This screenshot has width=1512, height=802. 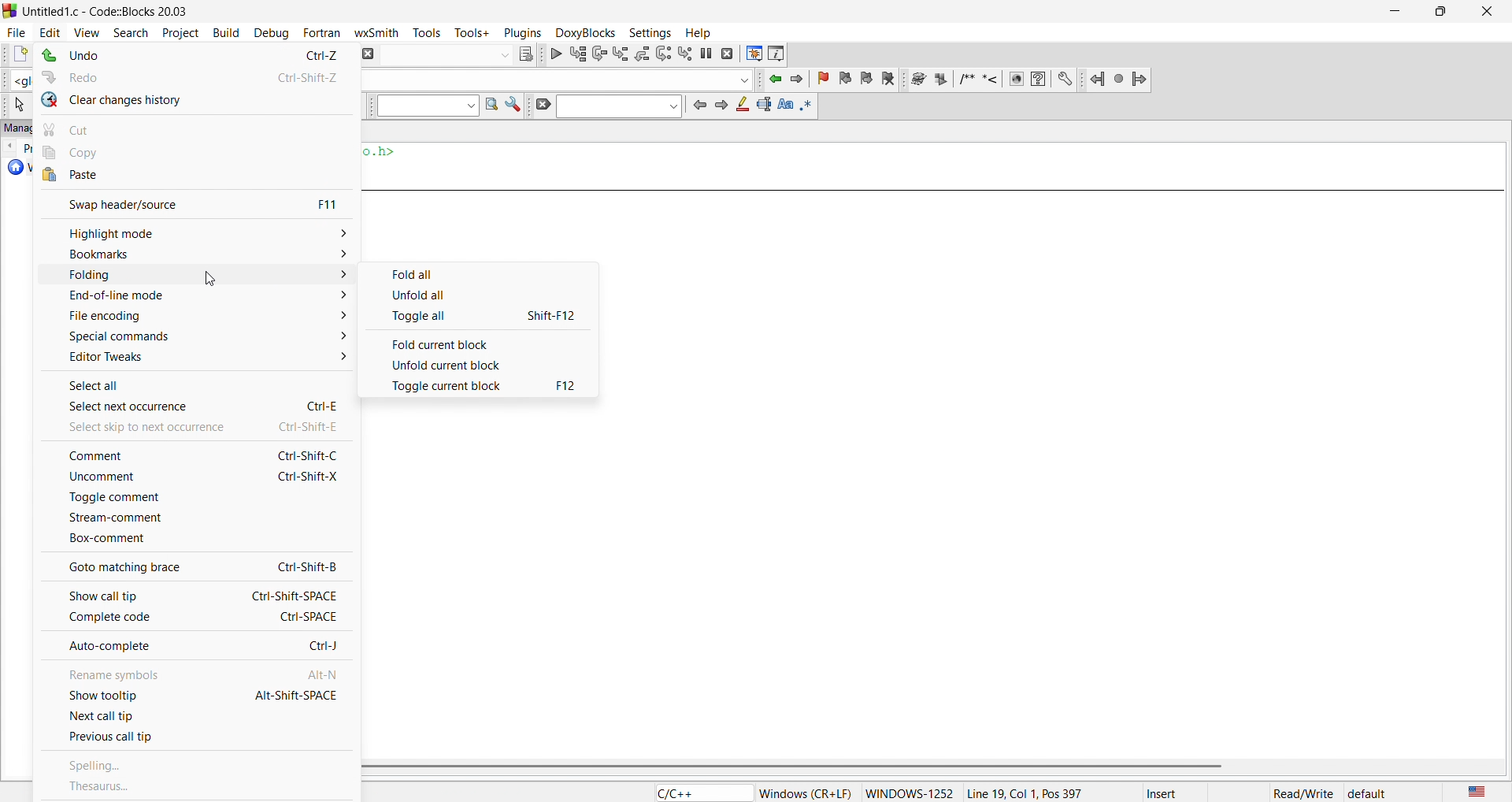 I want to click on redo, so click(x=198, y=74).